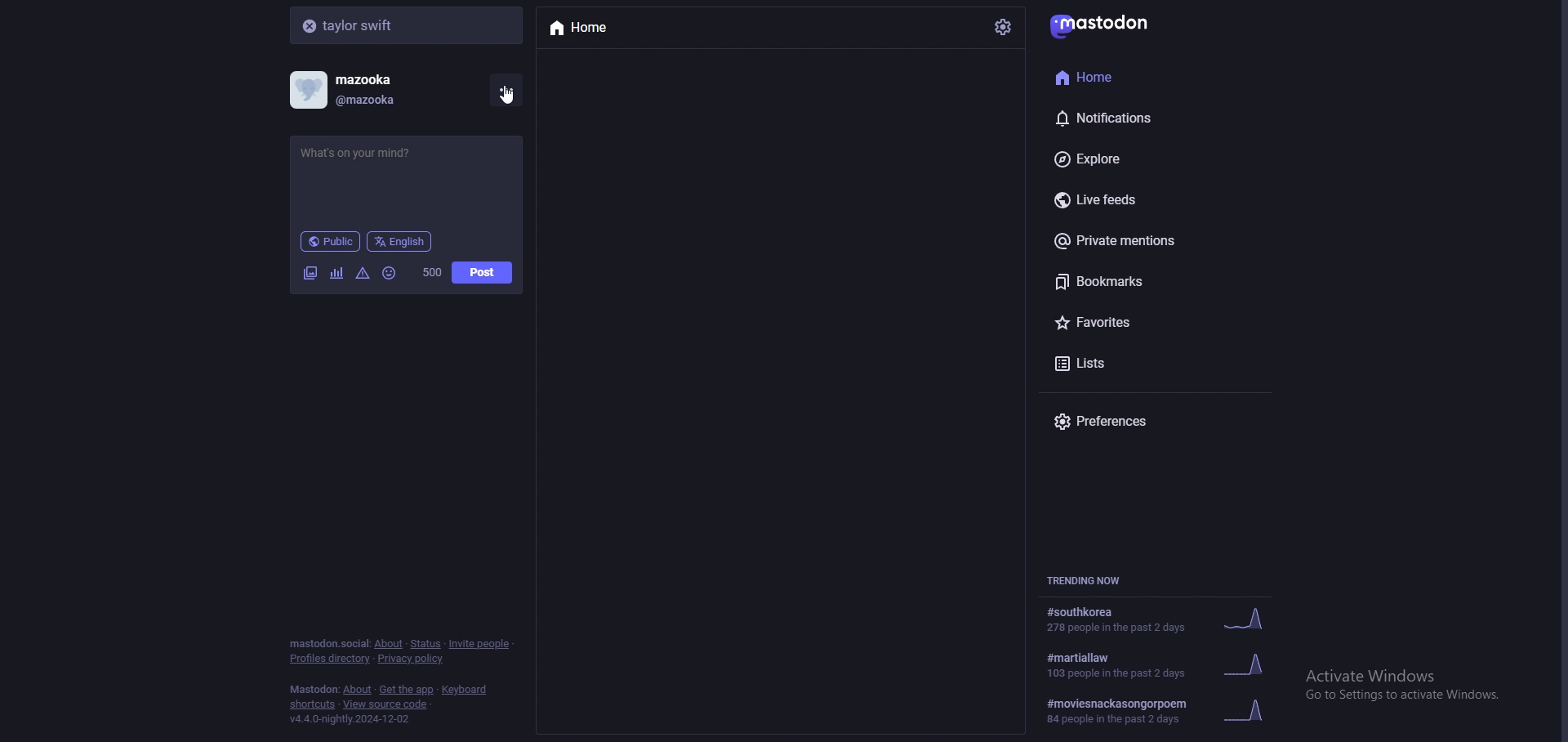 This screenshot has height=742, width=1568. Describe the element at coordinates (390, 644) in the screenshot. I see `about` at that location.